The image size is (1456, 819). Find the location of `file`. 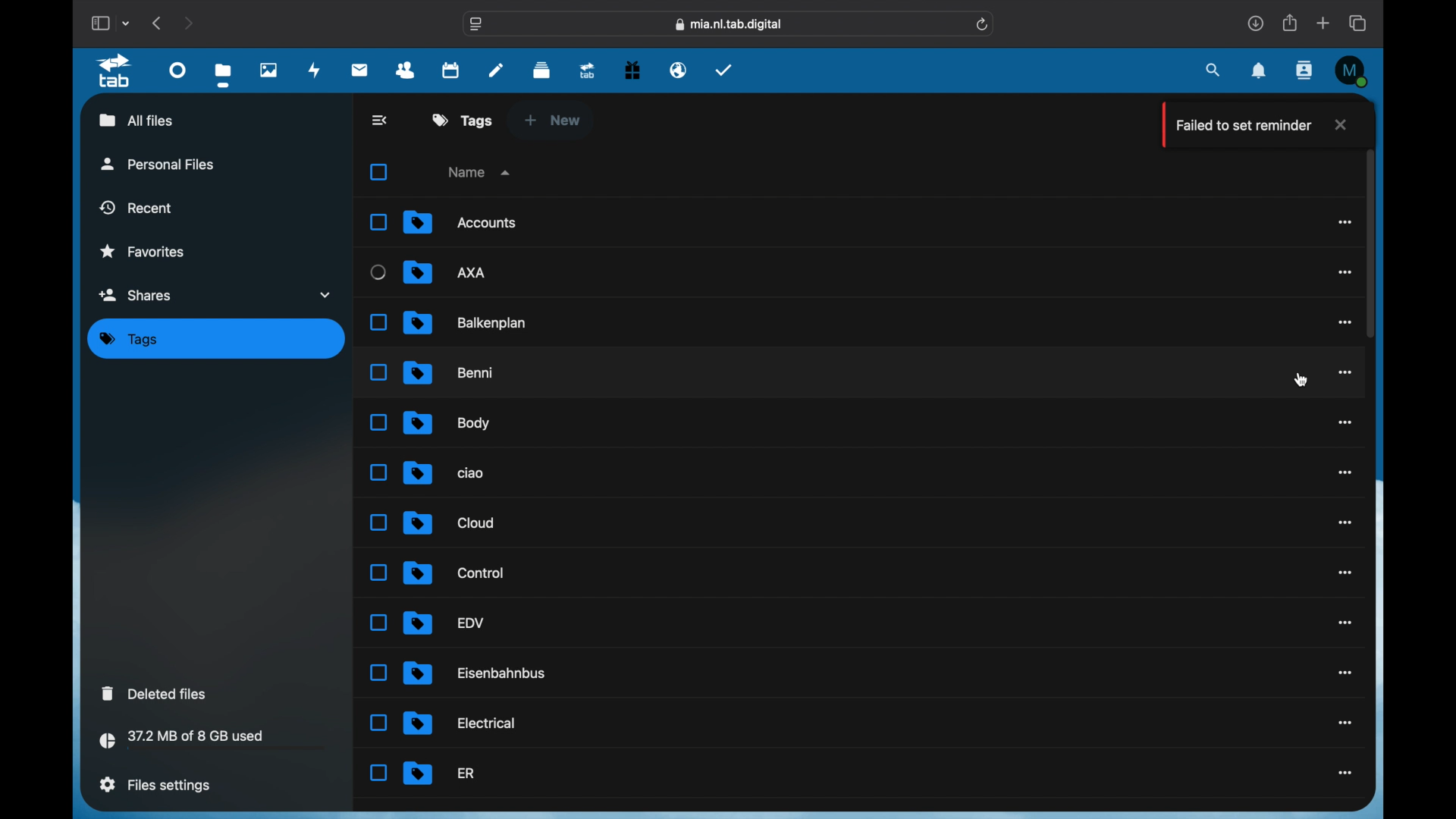

file is located at coordinates (468, 322).